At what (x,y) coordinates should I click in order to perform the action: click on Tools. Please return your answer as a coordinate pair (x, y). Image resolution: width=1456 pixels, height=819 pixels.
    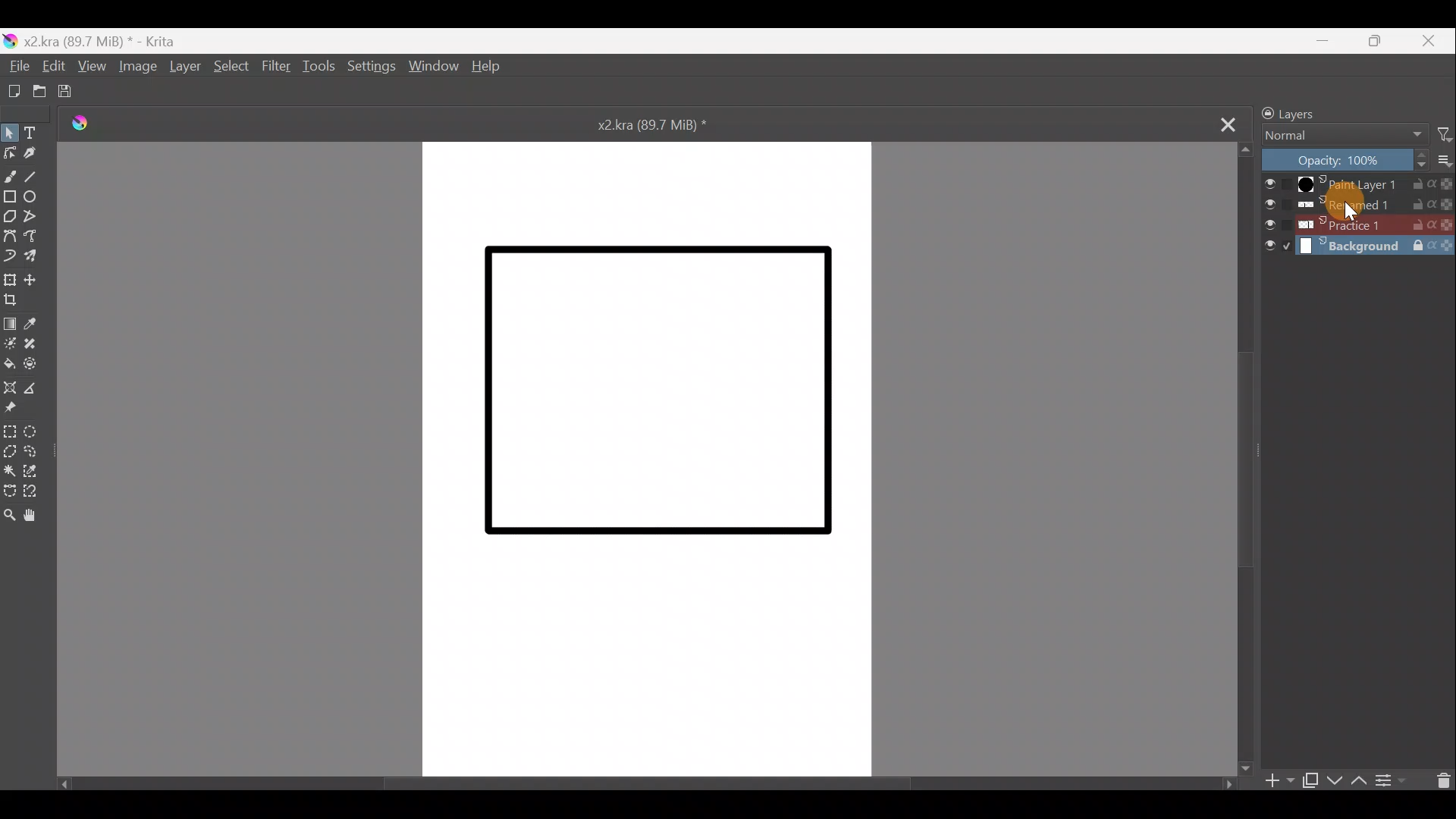
    Looking at the image, I should click on (315, 67).